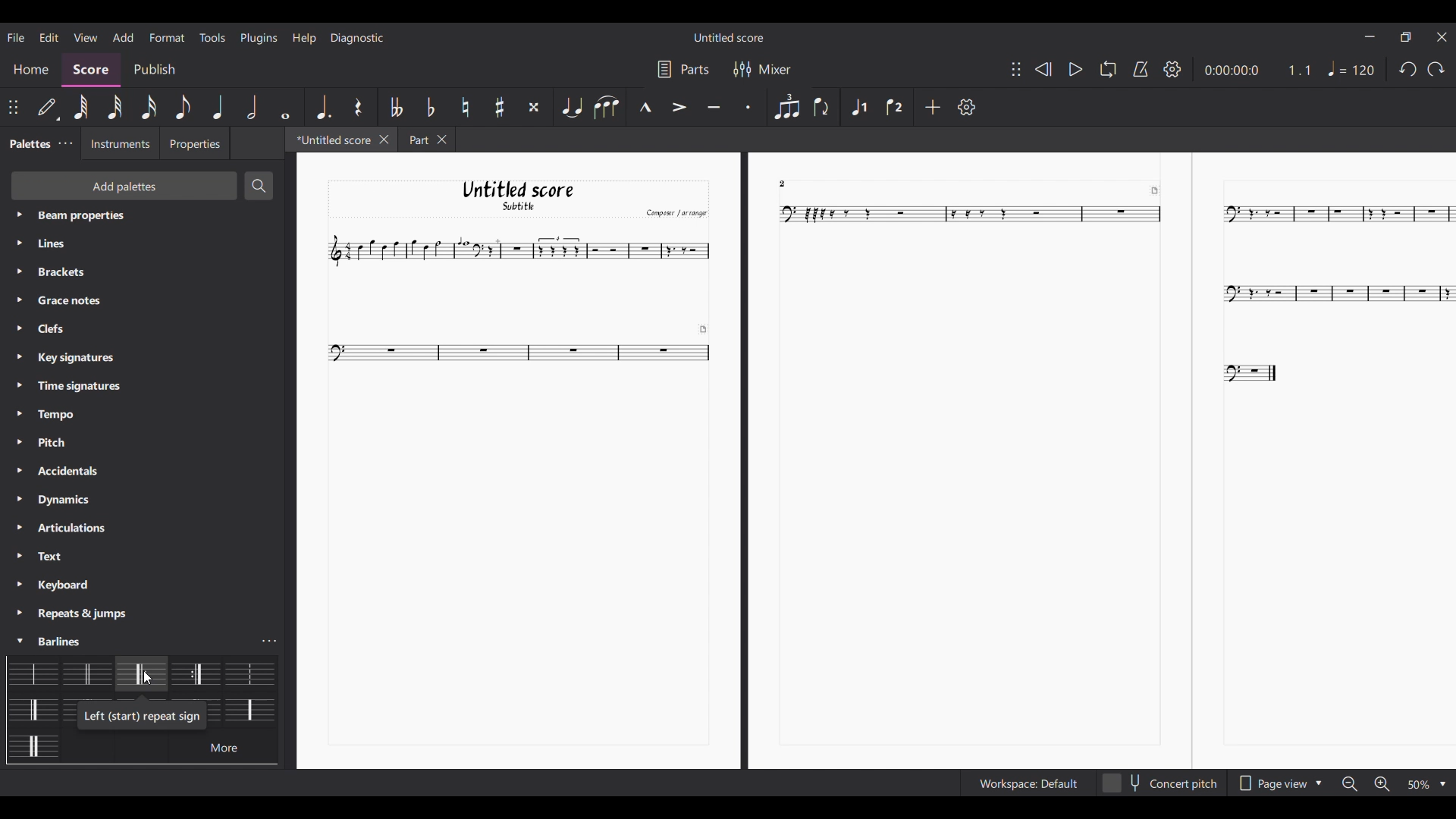 Image resolution: width=1456 pixels, height=819 pixels. Describe the element at coordinates (683, 69) in the screenshot. I see `Parts settings` at that location.